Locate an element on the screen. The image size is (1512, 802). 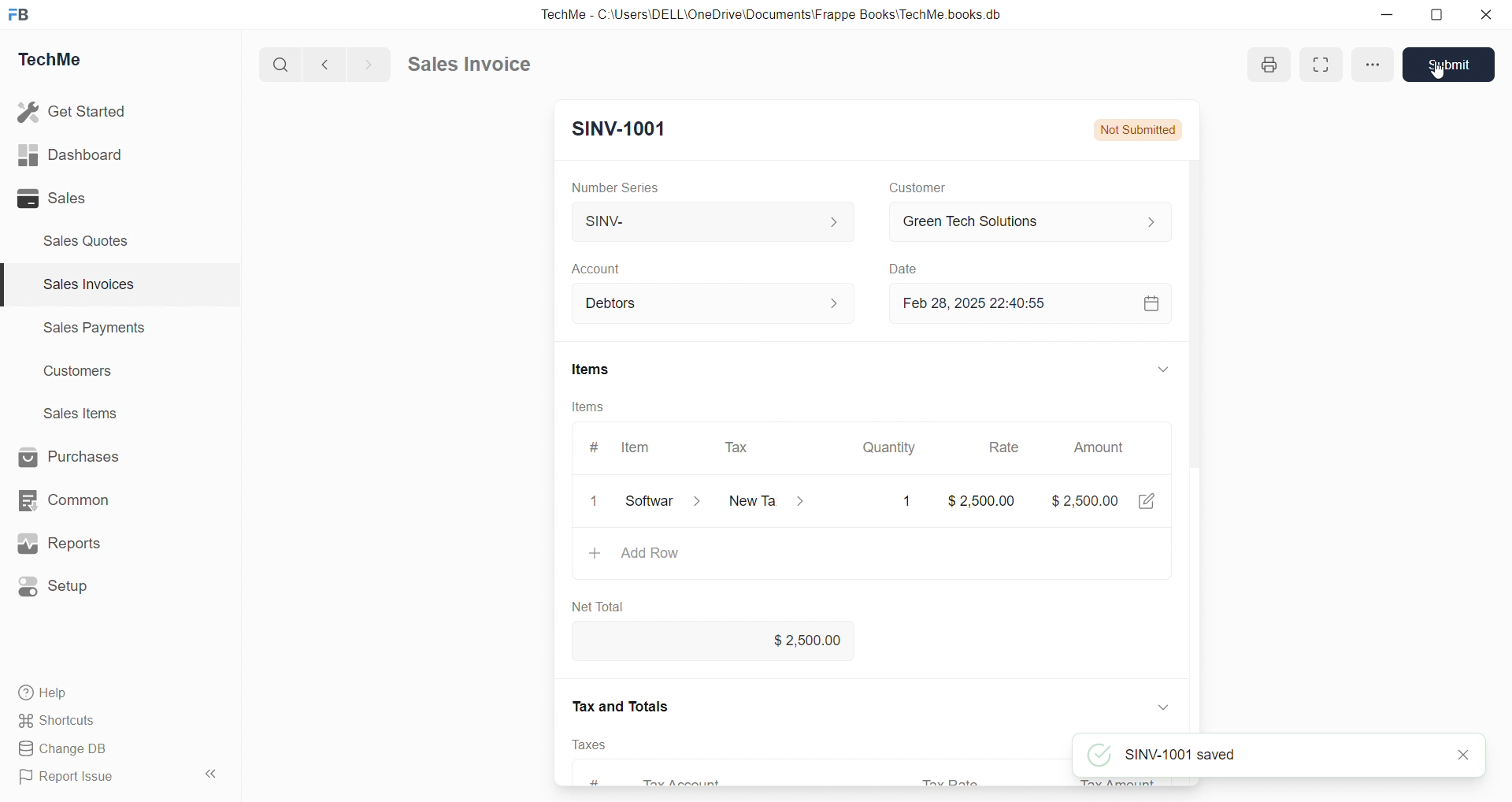
Rate is located at coordinates (1006, 447).